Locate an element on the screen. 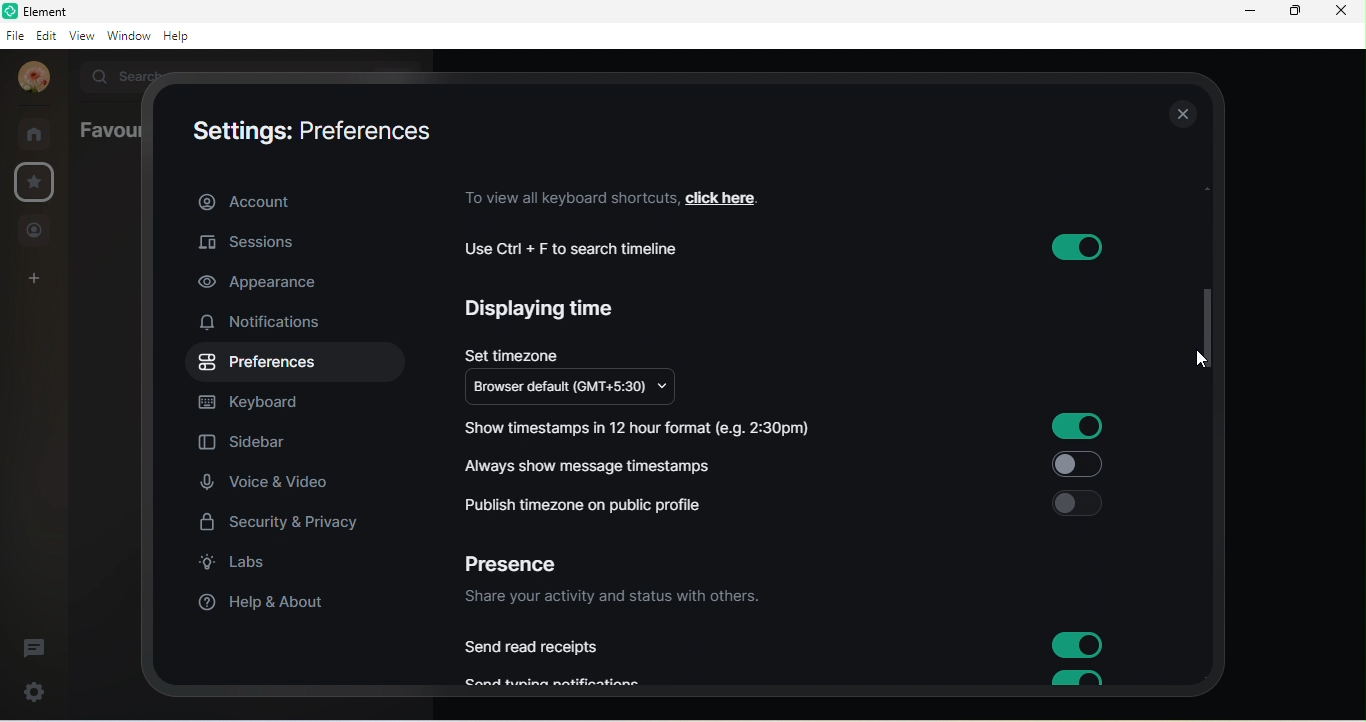  edit is located at coordinates (44, 35).